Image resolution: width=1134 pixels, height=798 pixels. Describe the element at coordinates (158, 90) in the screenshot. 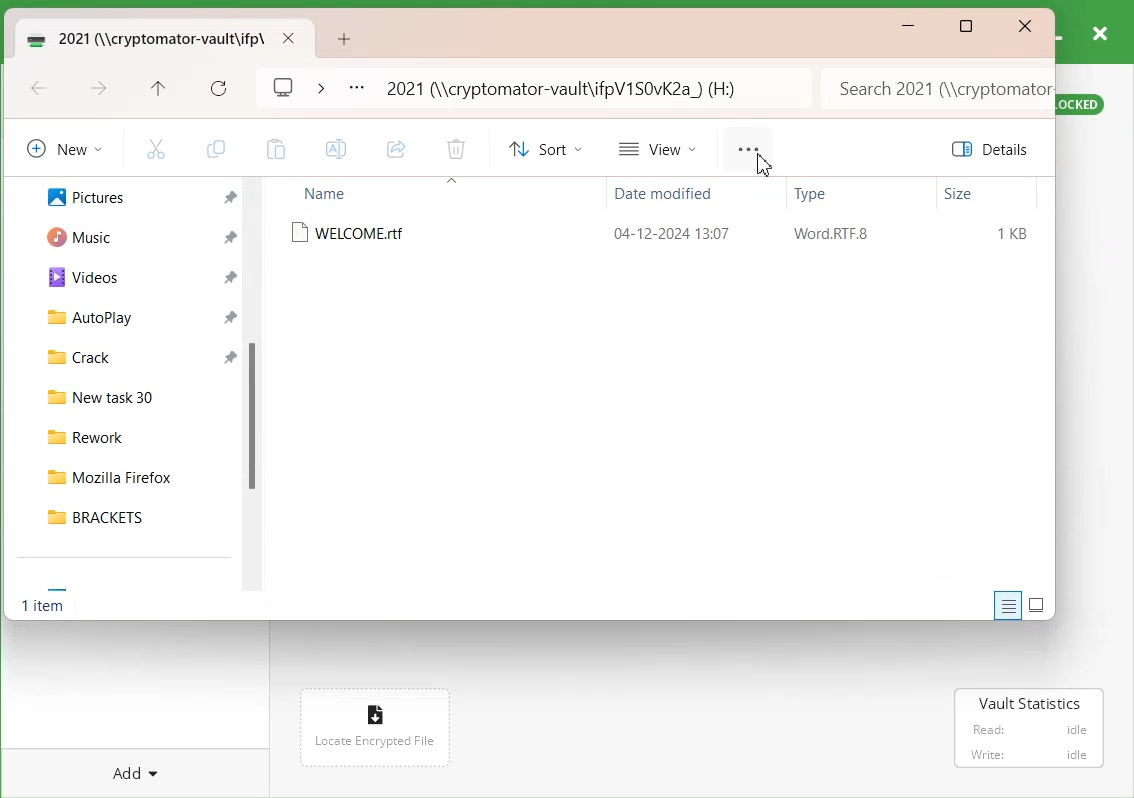

I see `Up to recent file` at that location.